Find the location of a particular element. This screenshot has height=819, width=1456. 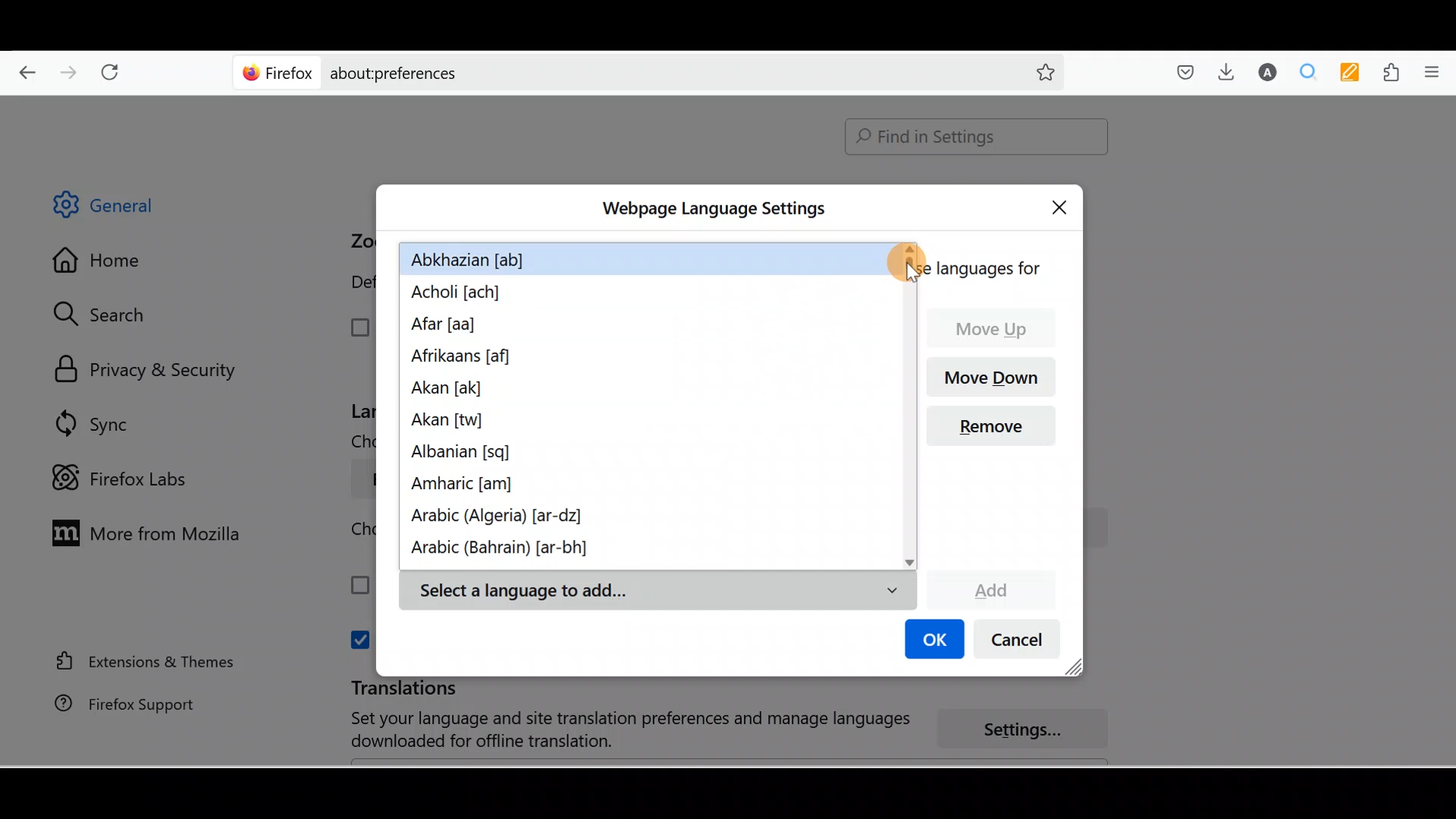

Firefox is located at coordinates (278, 72).